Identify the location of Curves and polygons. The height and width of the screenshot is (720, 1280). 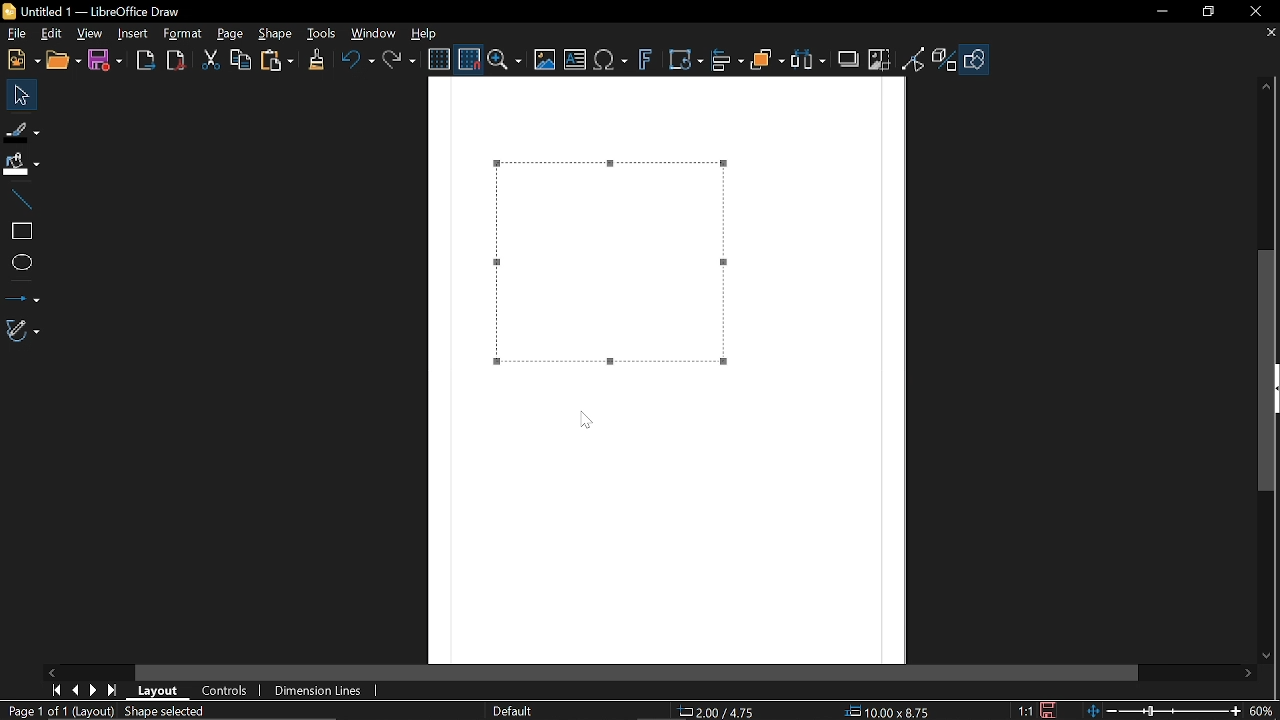
(23, 331).